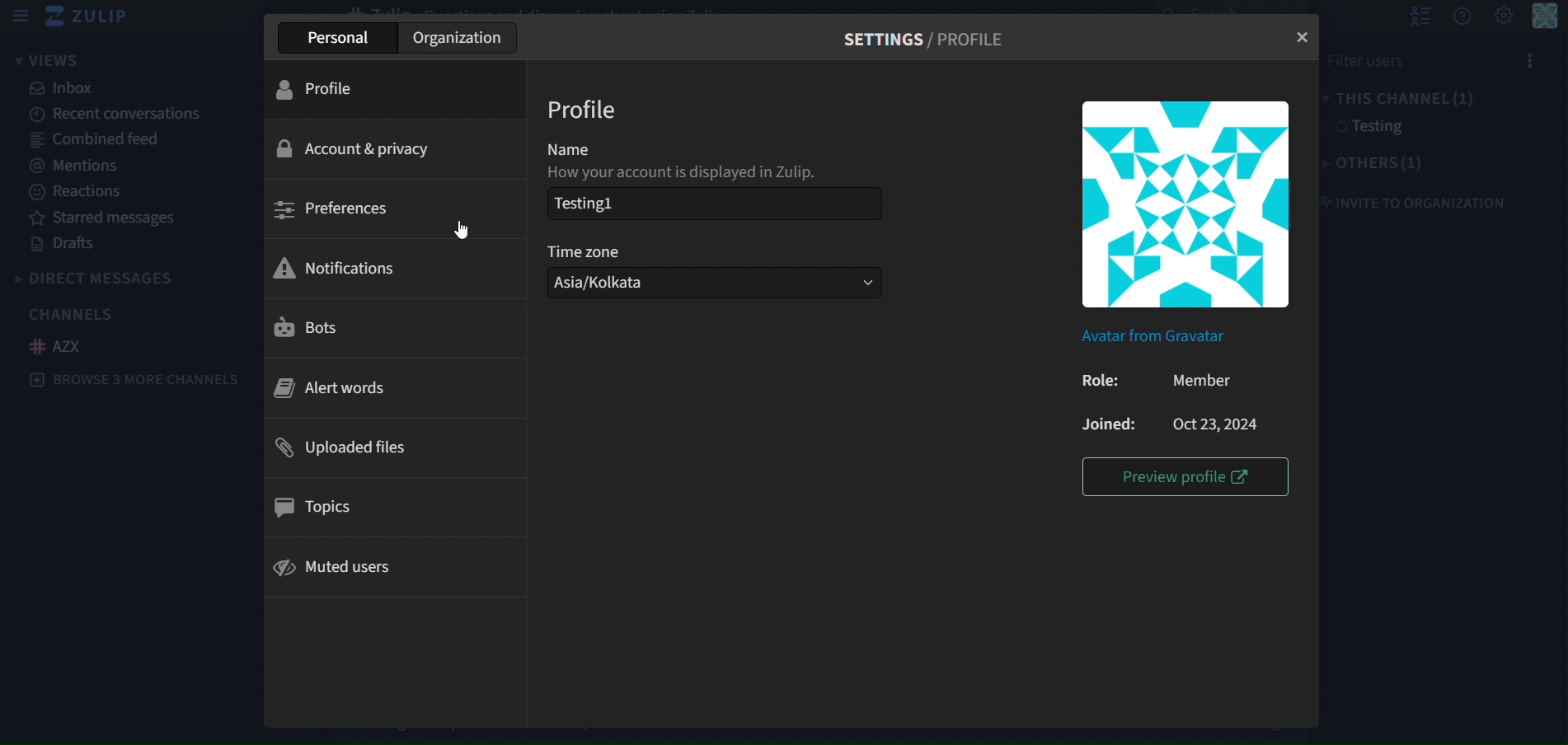 The width and height of the screenshot is (1568, 745). What do you see at coordinates (107, 277) in the screenshot?
I see `direct messages` at bounding box center [107, 277].